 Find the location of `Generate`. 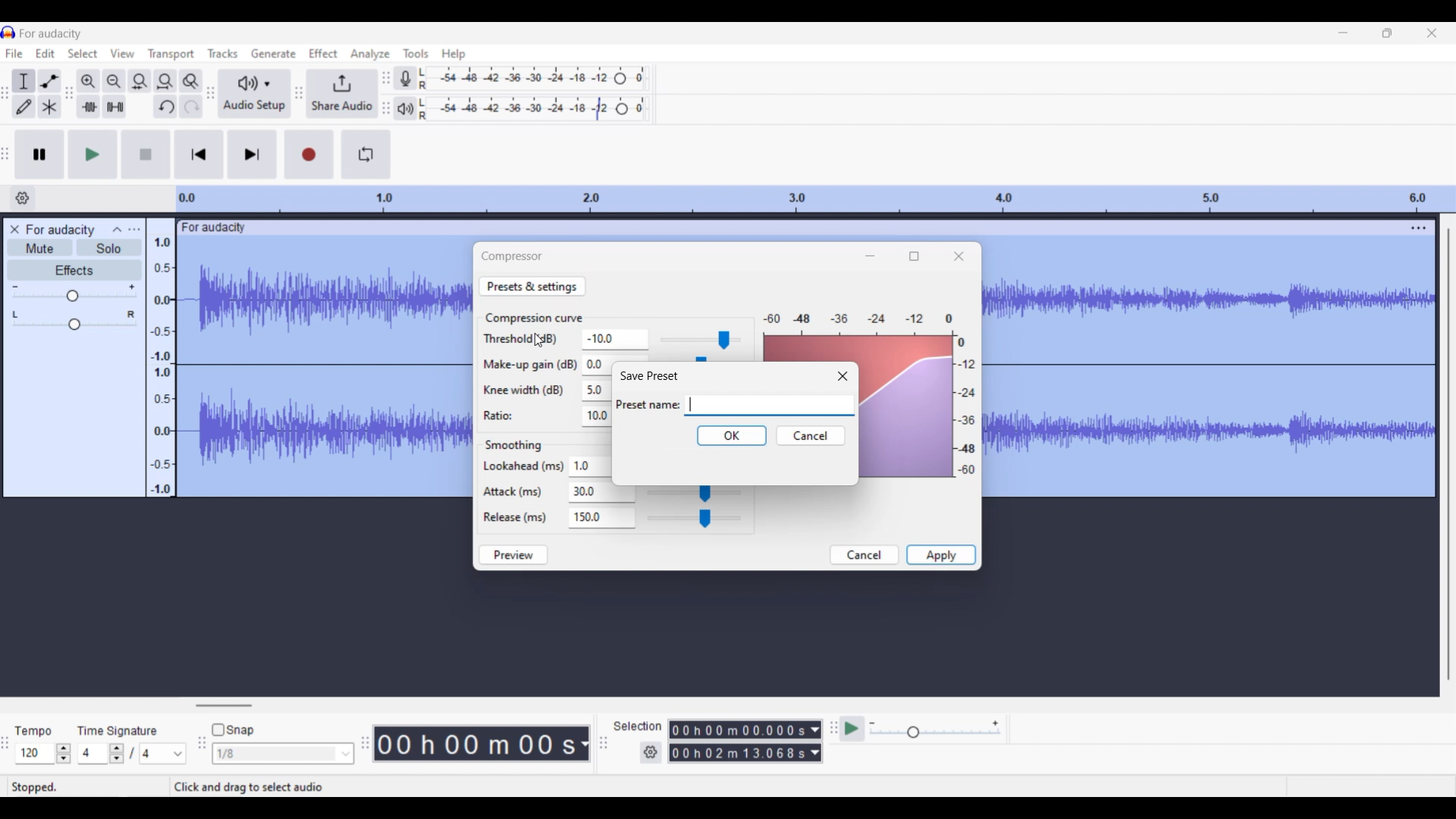

Generate is located at coordinates (273, 52).